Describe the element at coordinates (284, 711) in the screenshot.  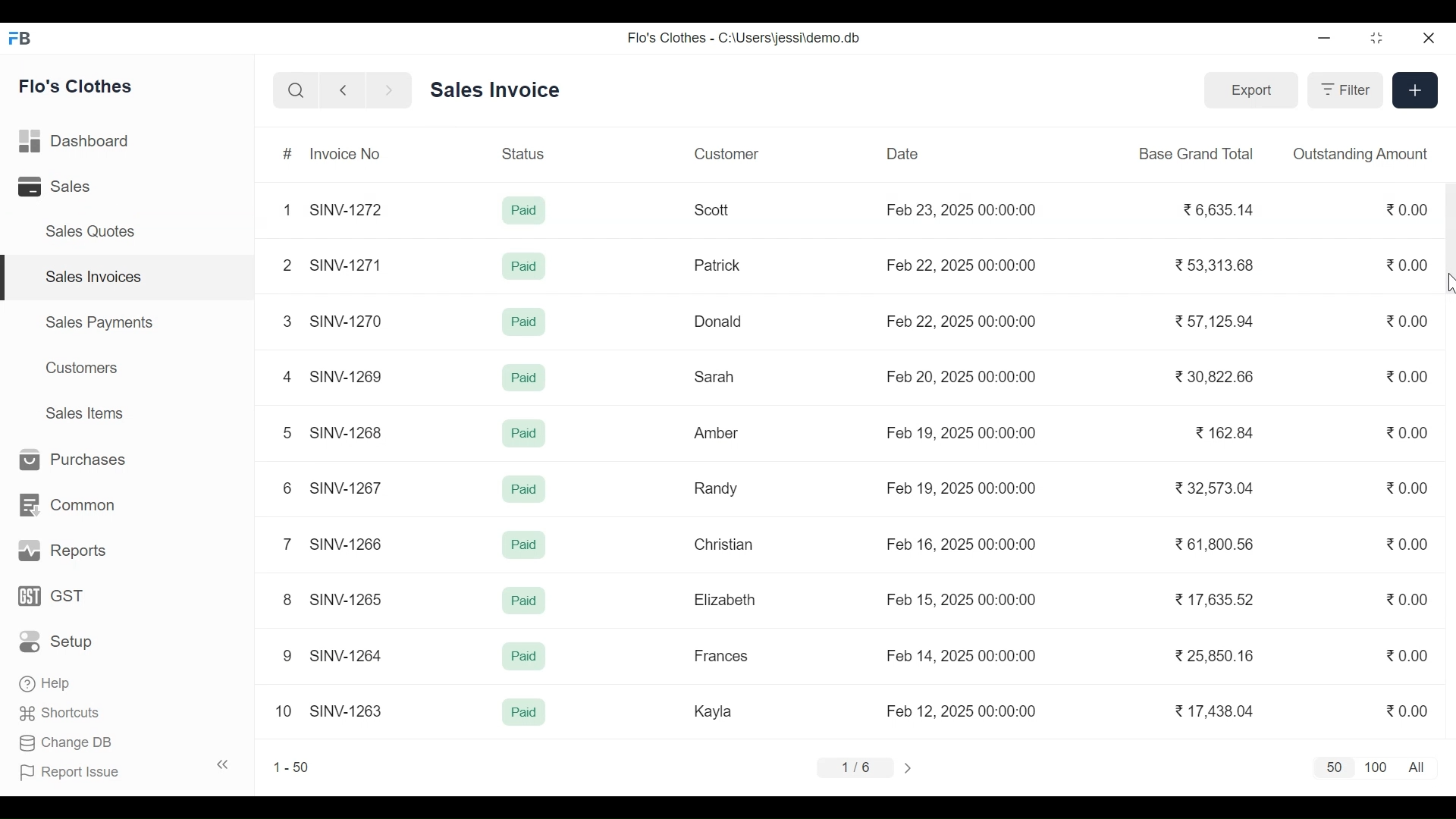
I see `10` at that location.